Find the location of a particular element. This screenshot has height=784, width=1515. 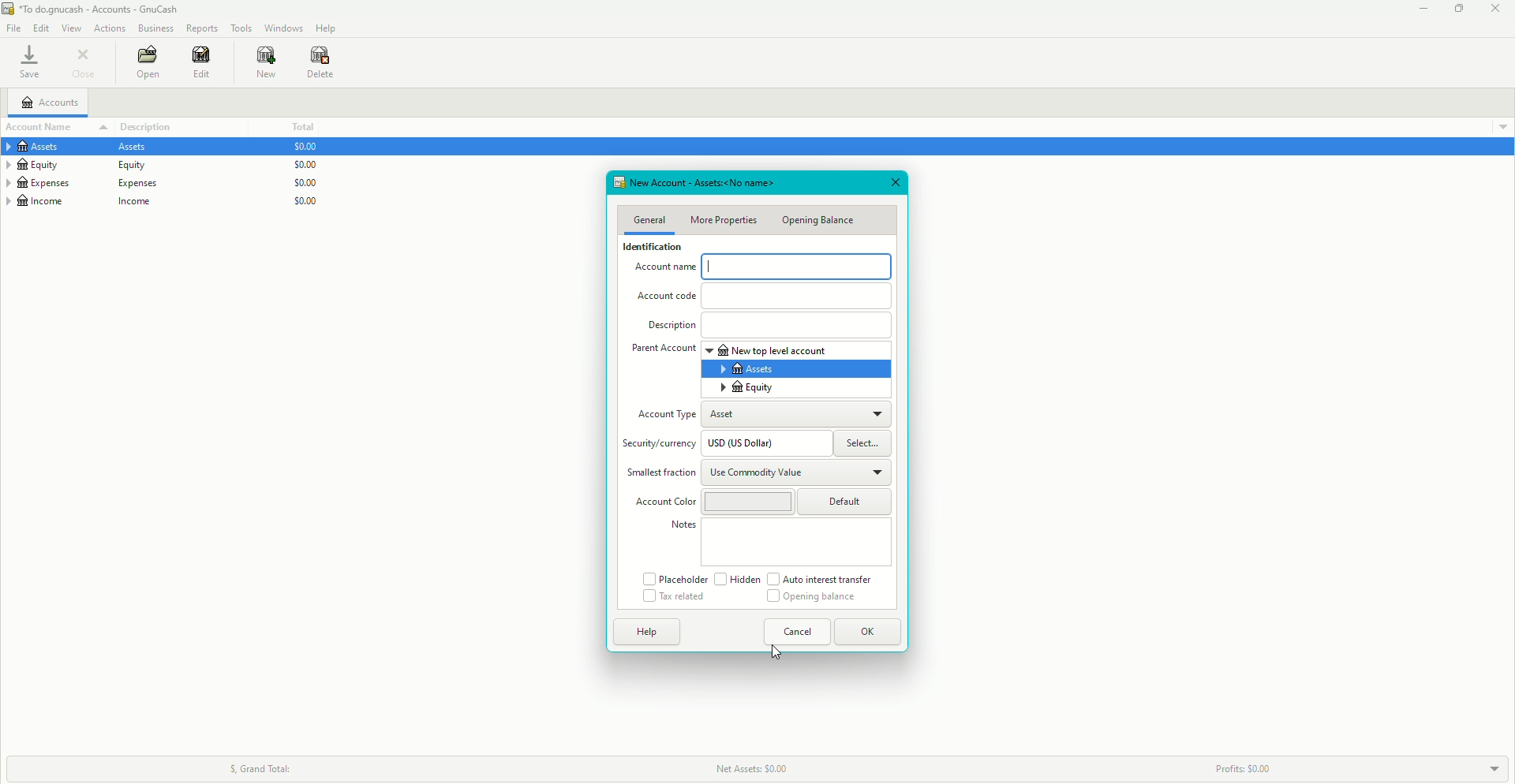

Typing box for account code is located at coordinates (799, 294).